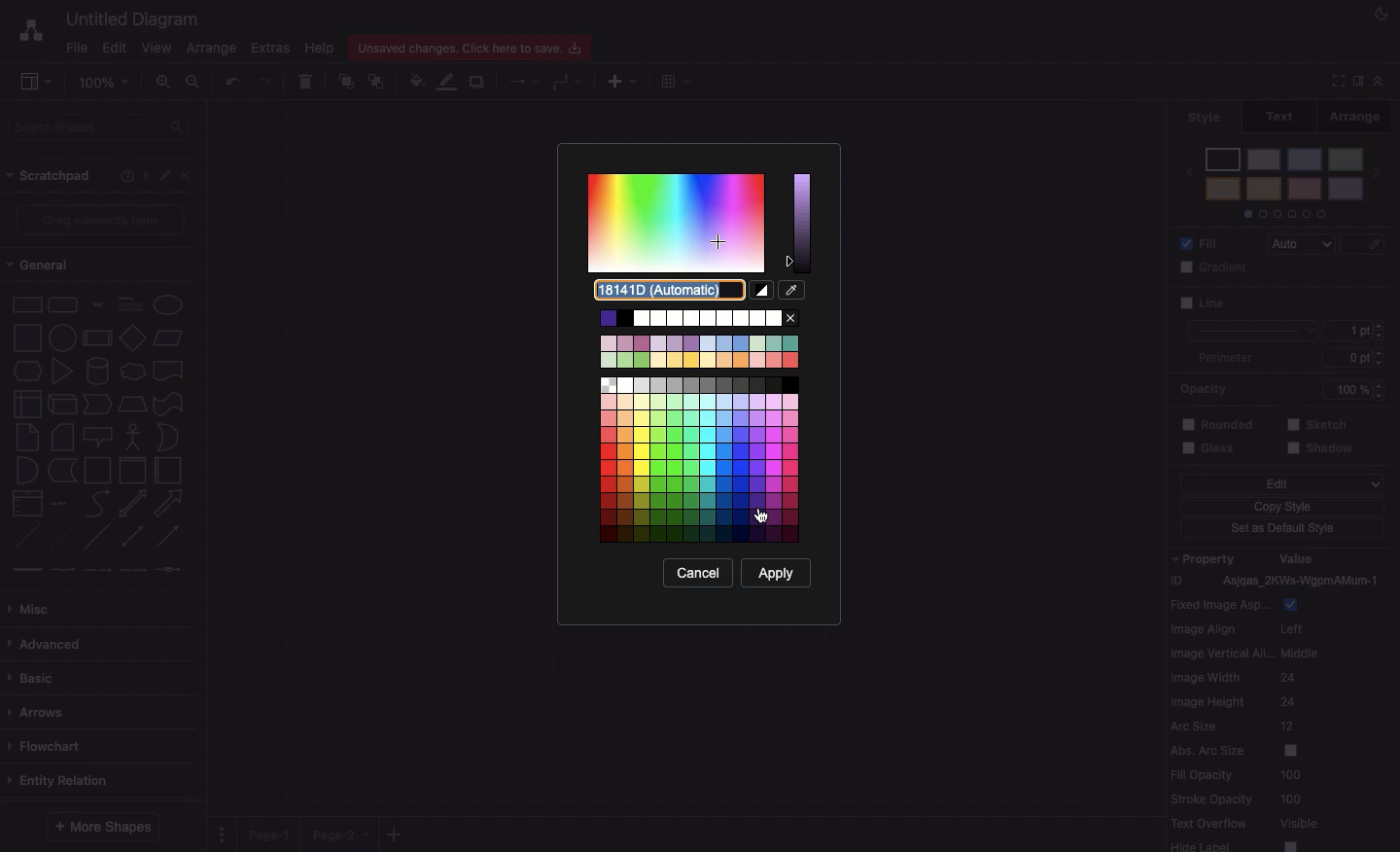 The width and height of the screenshot is (1400, 852). What do you see at coordinates (102, 221) in the screenshot?
I see `Drag elements here` at bounding box center [102, 221].